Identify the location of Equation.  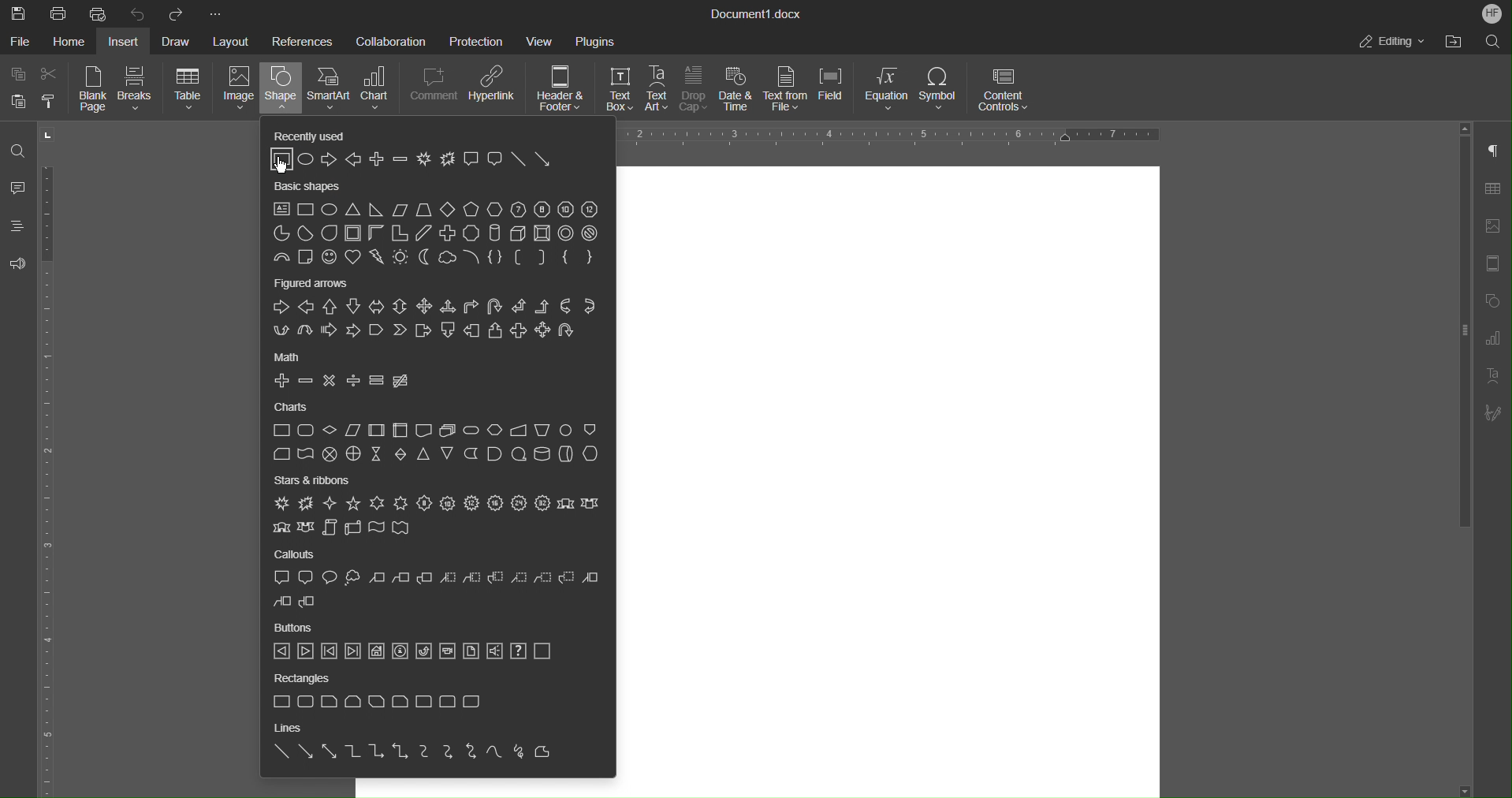
(888, 91).